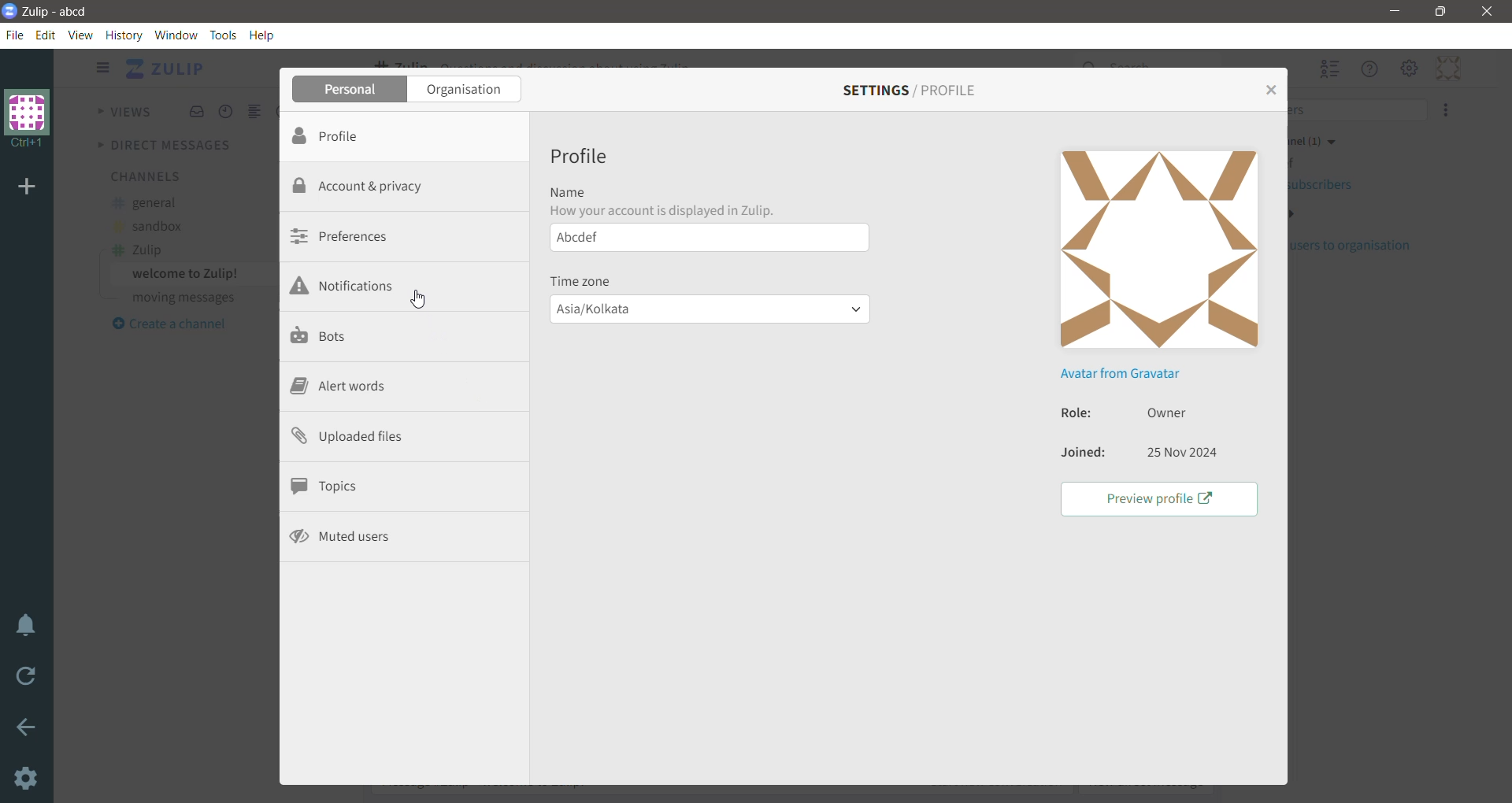 This screenshot has height=803, width=1512. What do you see at coordinates (30, 187) in the screenshot?
I see `Add organization` at bounding box center [30, 187].